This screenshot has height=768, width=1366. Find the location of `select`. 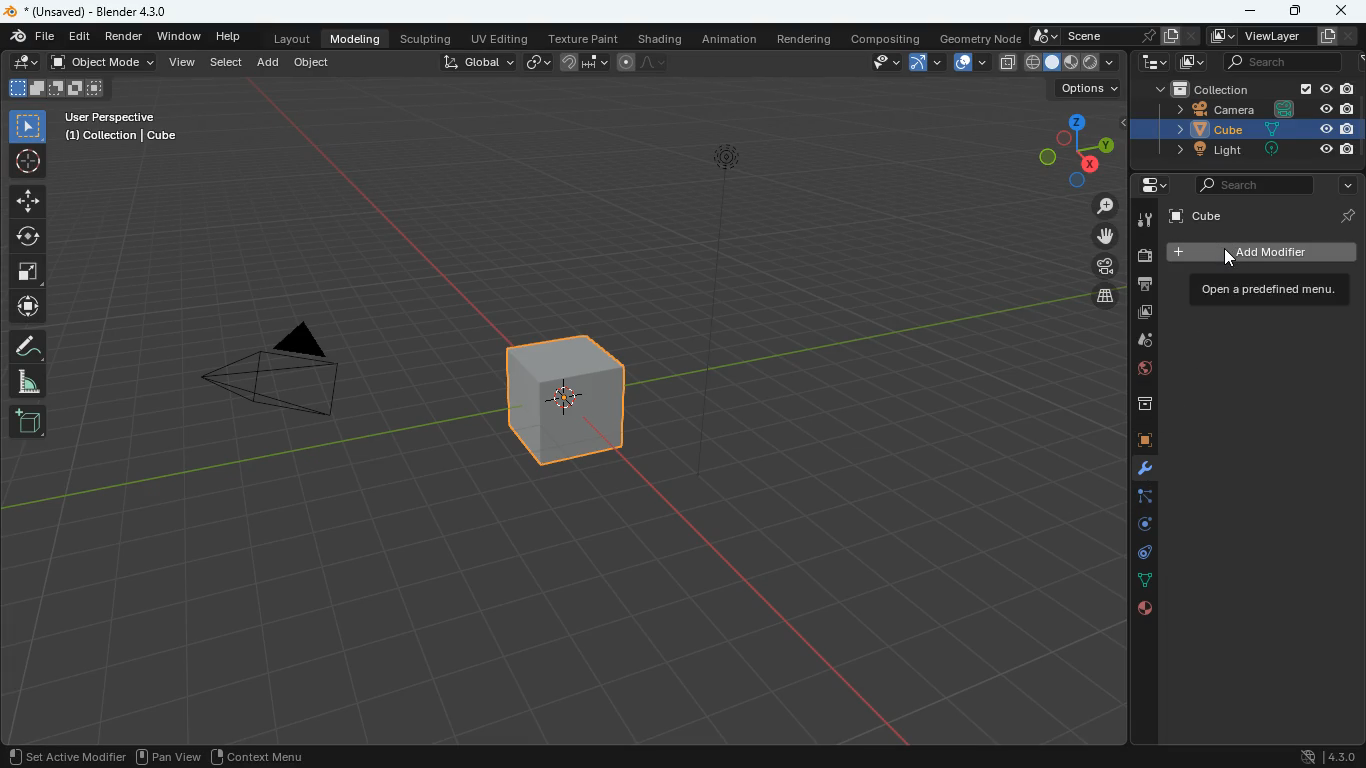

select is located at coordinates (227, 62).